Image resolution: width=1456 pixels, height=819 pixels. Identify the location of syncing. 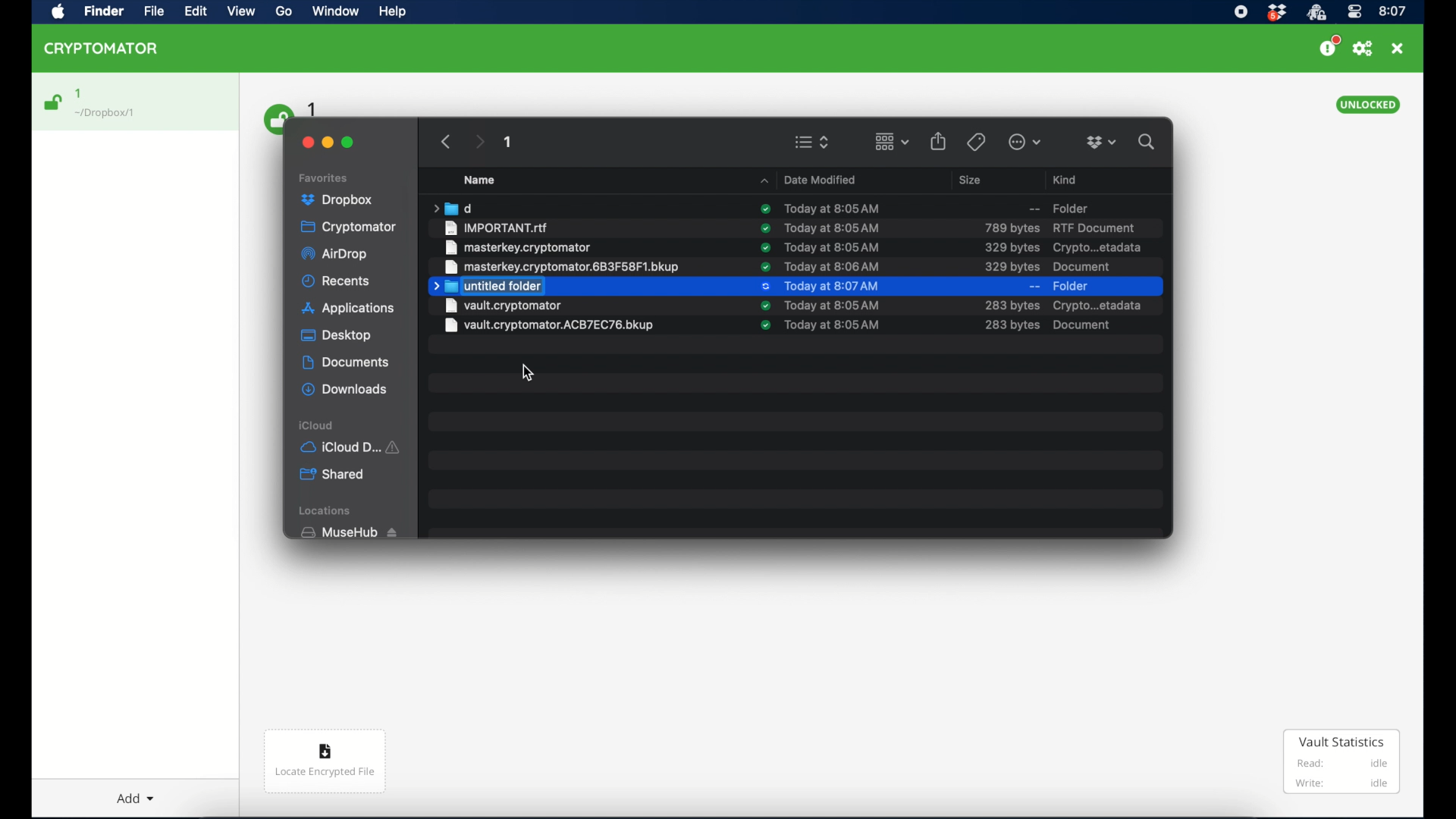
(764, 287).